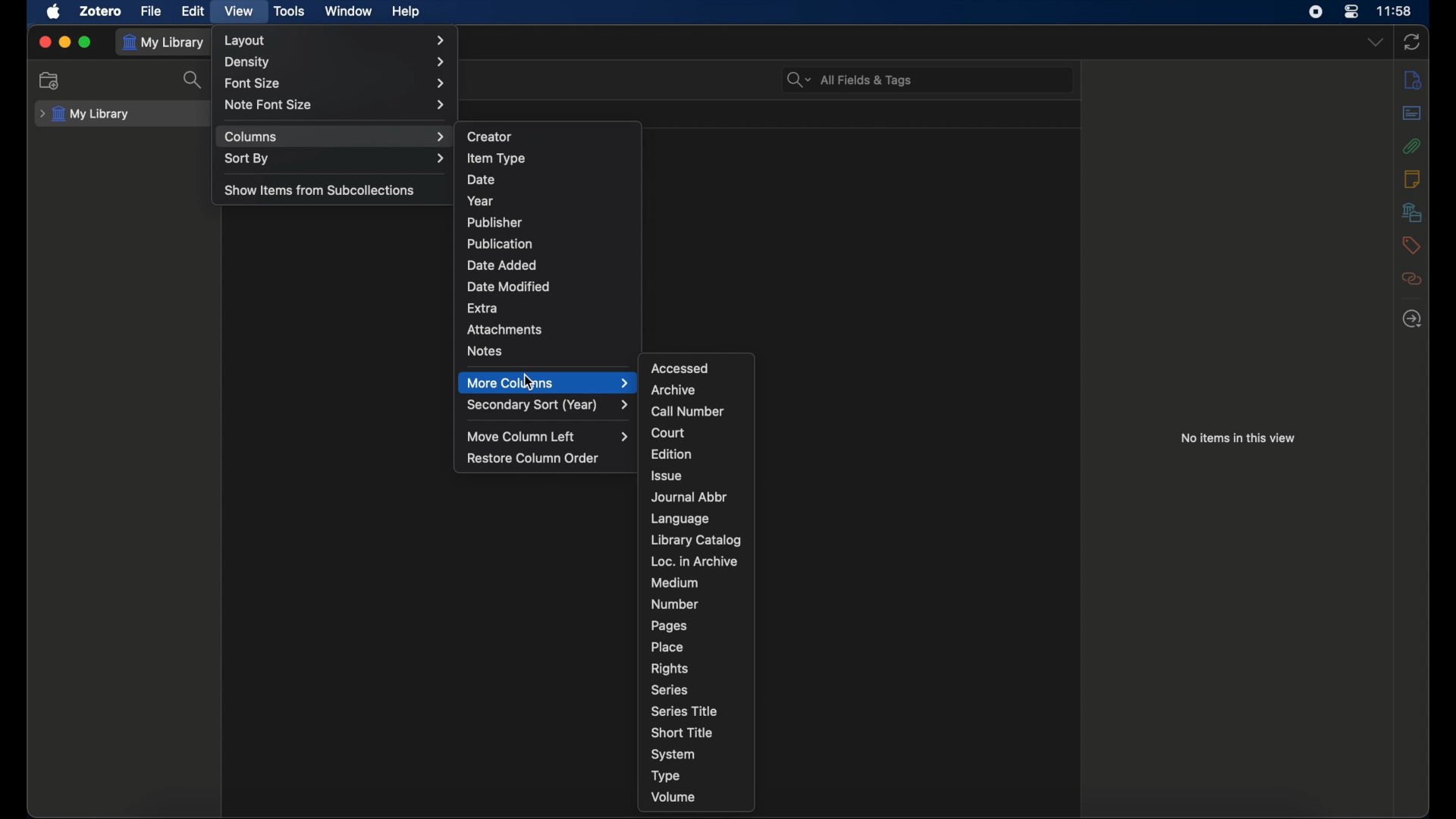  Describe the element at coordinates (669, 668) in the screenshot. I see `rights` at that location.